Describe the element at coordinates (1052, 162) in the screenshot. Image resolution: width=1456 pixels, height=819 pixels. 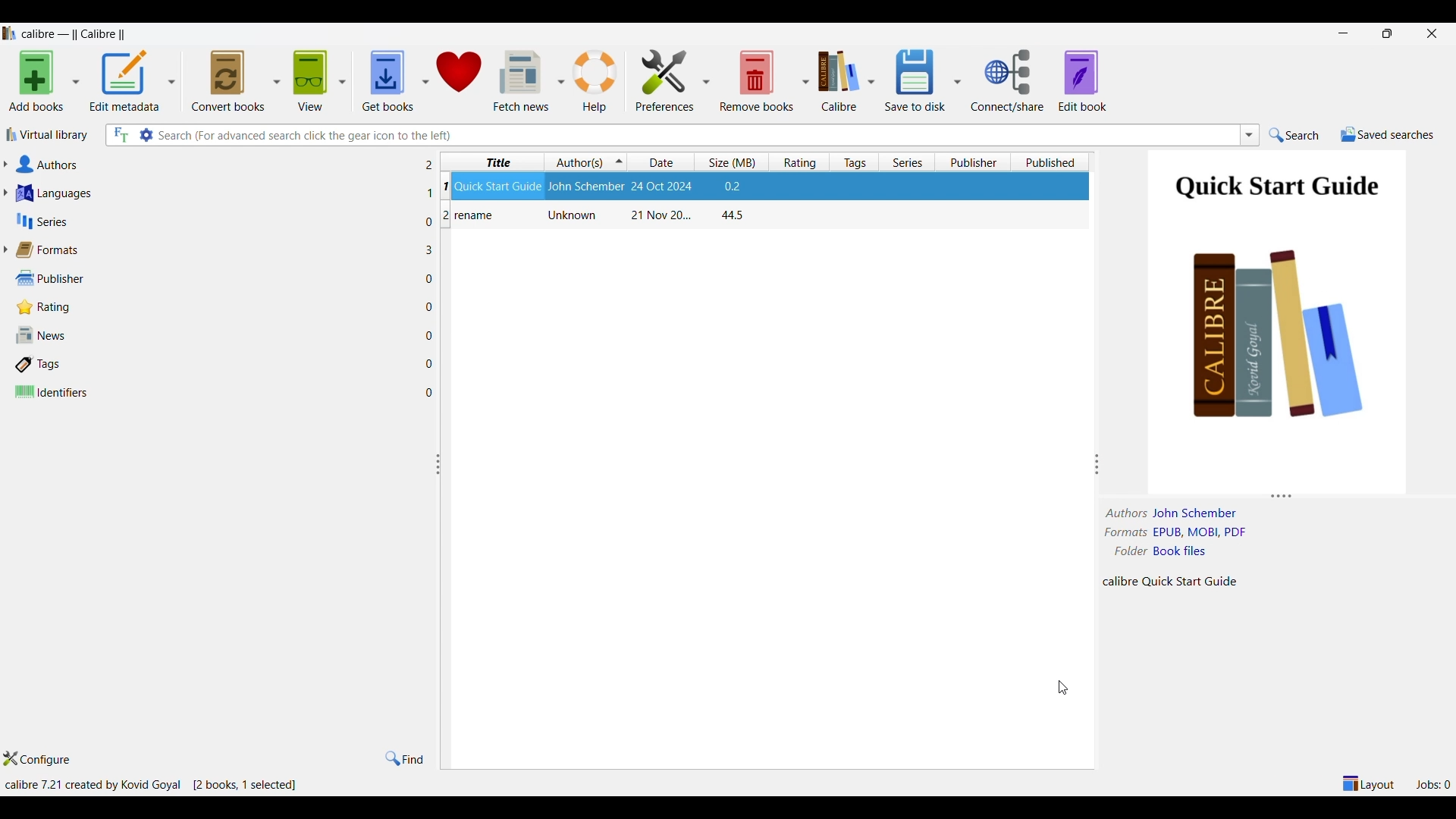
I see `Published column` at that location.